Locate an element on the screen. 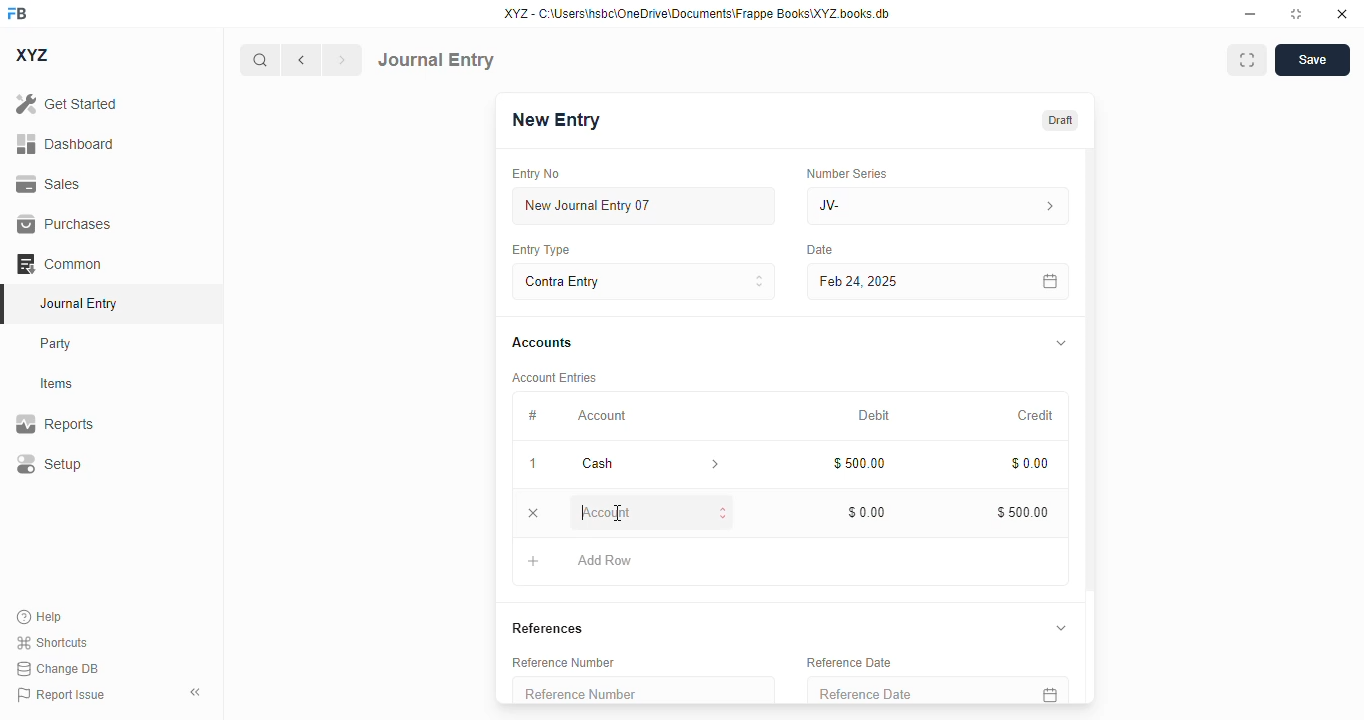 The image size is (1364, 720). report issue is located at coordinates (61, 694).